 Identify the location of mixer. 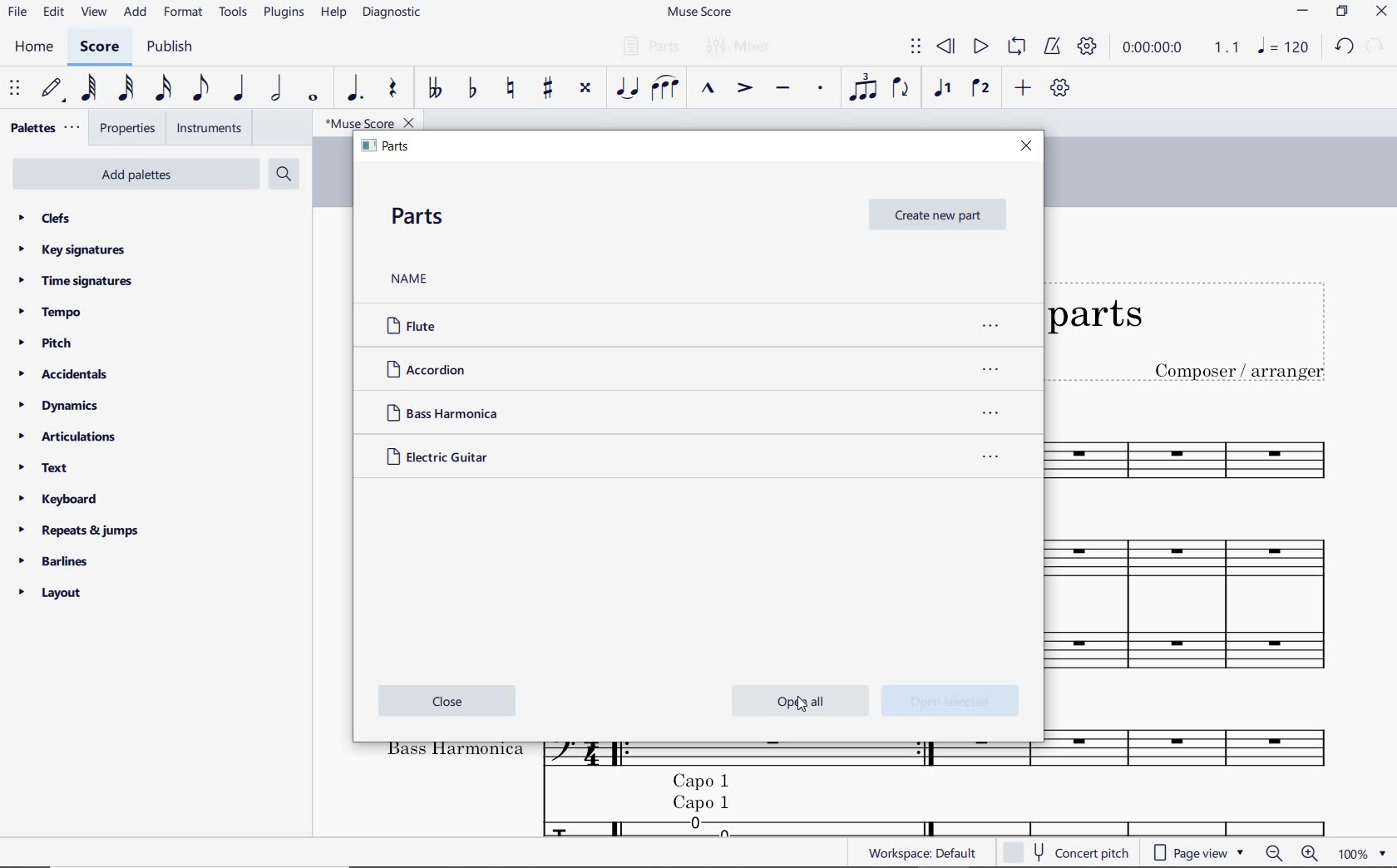
(742, 47).